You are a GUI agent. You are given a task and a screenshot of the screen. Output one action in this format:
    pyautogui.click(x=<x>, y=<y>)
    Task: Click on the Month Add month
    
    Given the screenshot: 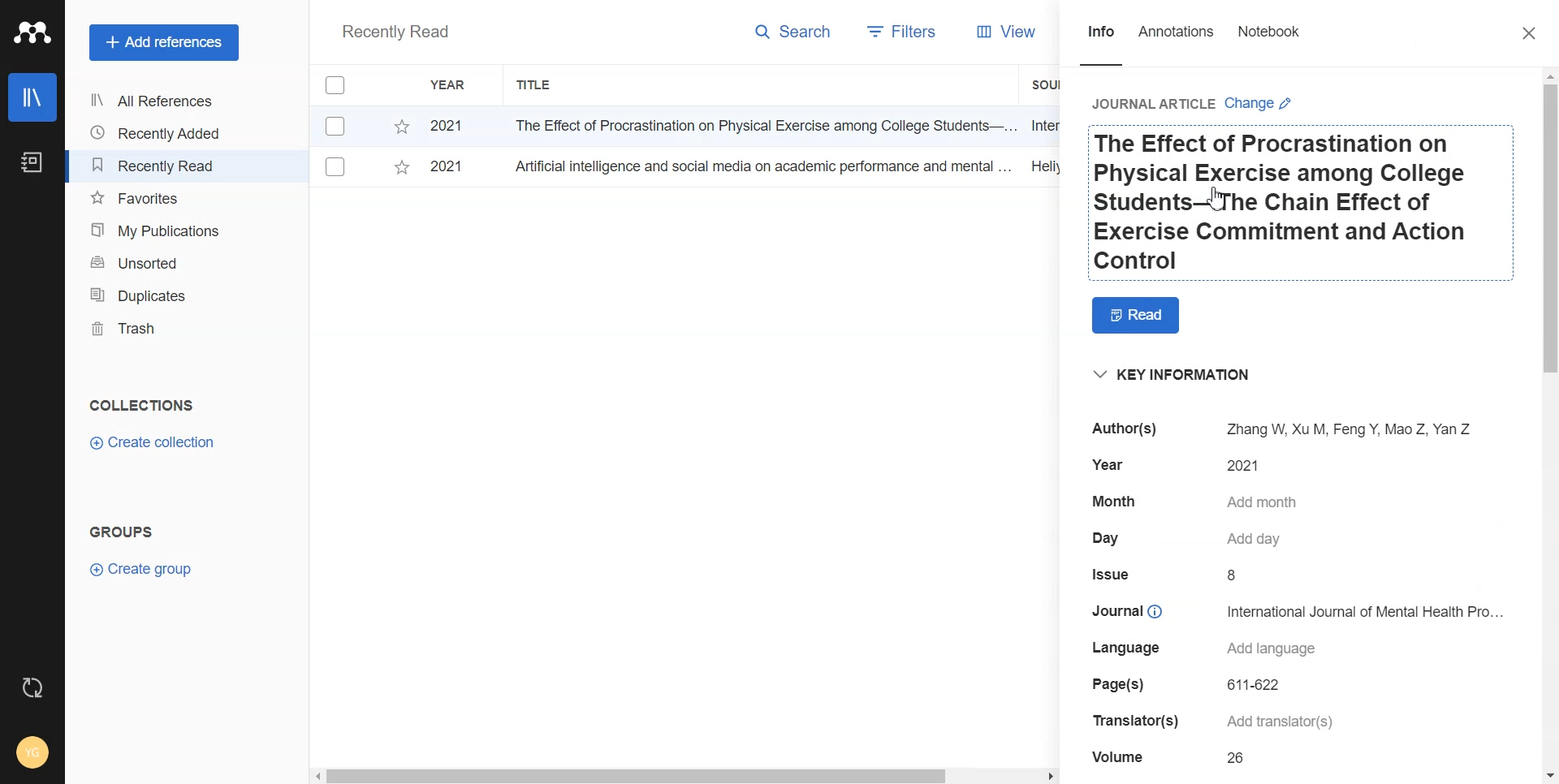 What is the action you would take?
    pyautogui.click(x=1200, y=501)
    